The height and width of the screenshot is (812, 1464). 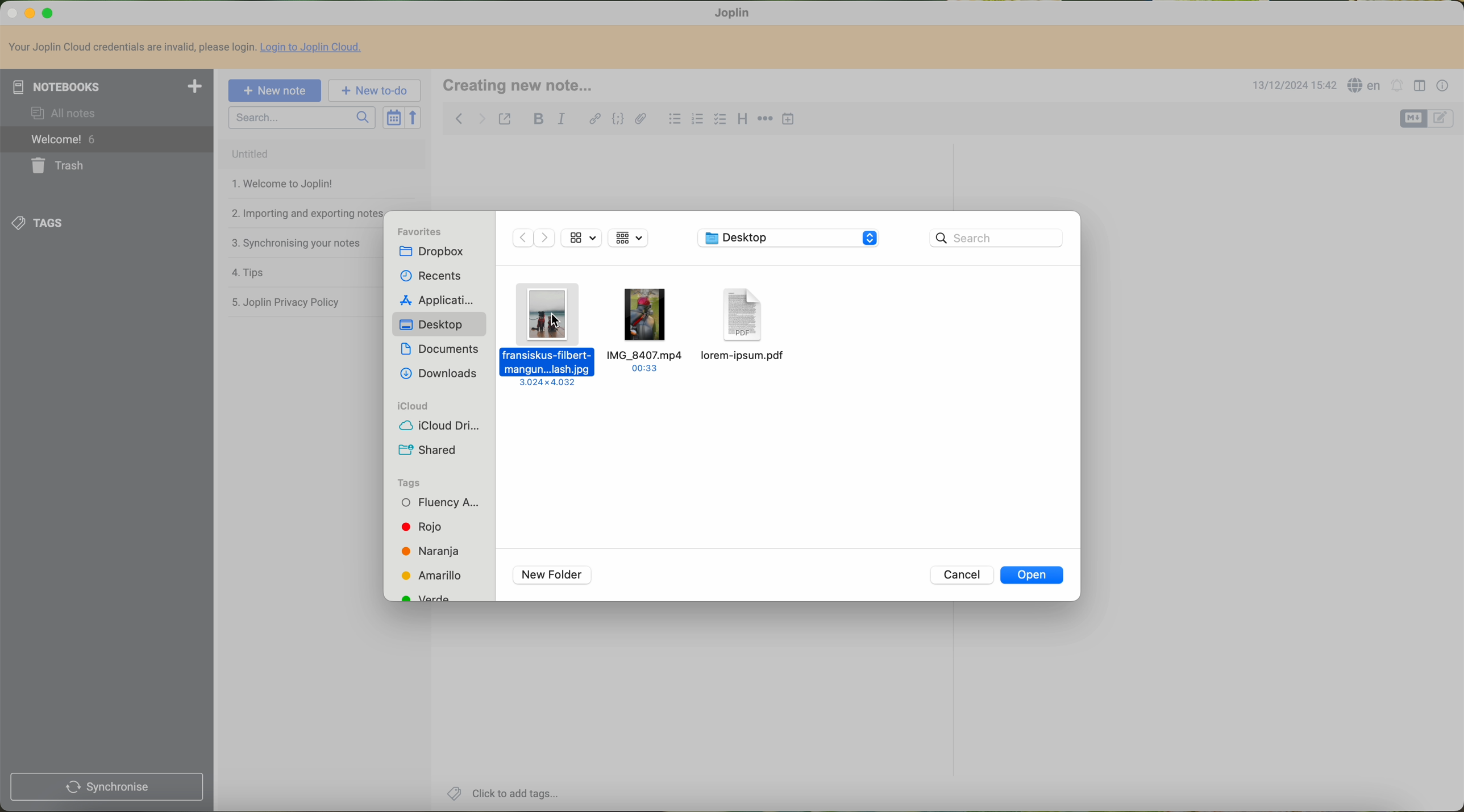 What do you see at coordinates (49, 14) in the screenshot?
I see `maximize Calibre` at bounding box center [49, 14].